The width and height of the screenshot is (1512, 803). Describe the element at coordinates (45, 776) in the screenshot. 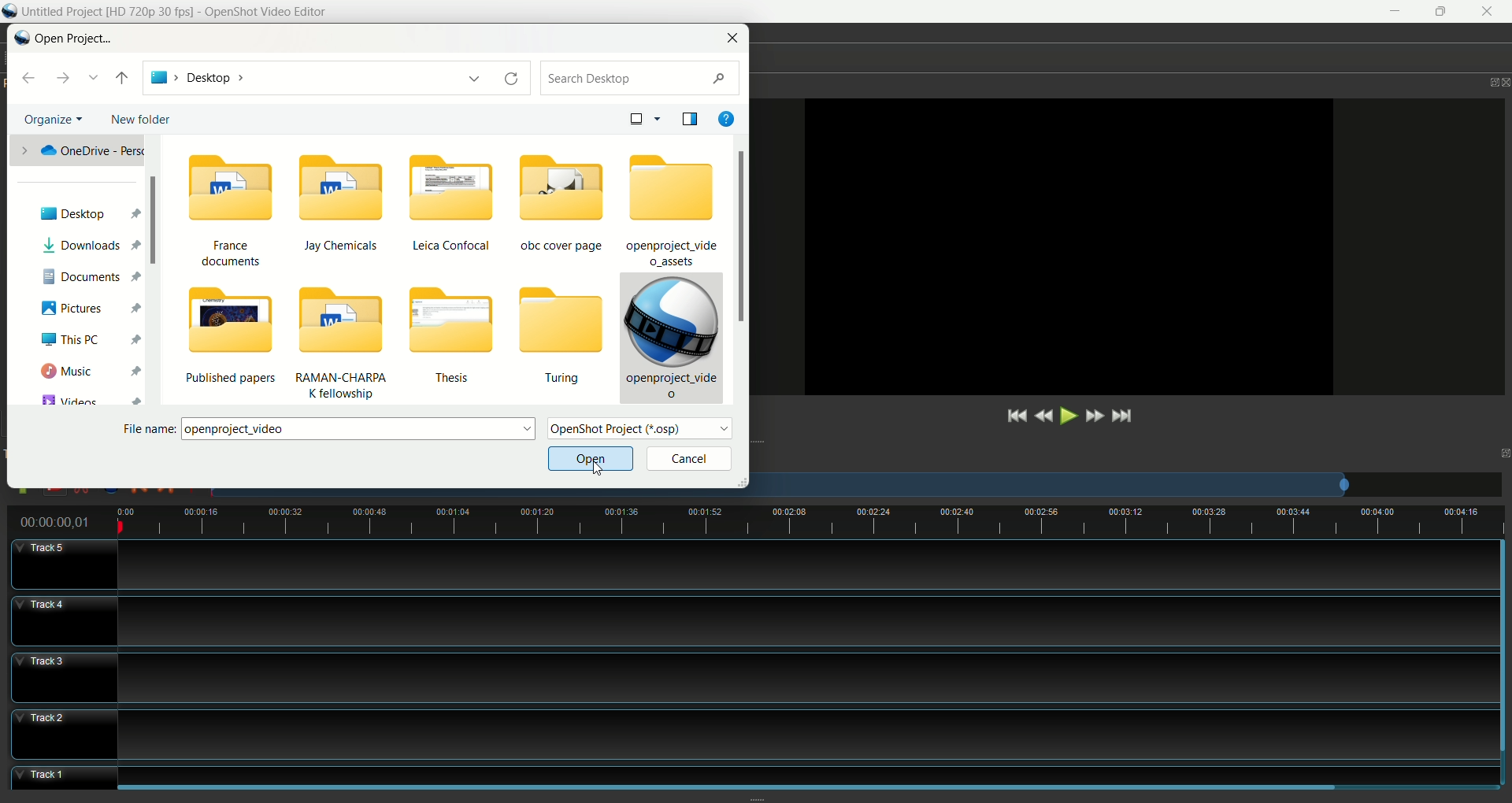

I see `track 1` at that location.